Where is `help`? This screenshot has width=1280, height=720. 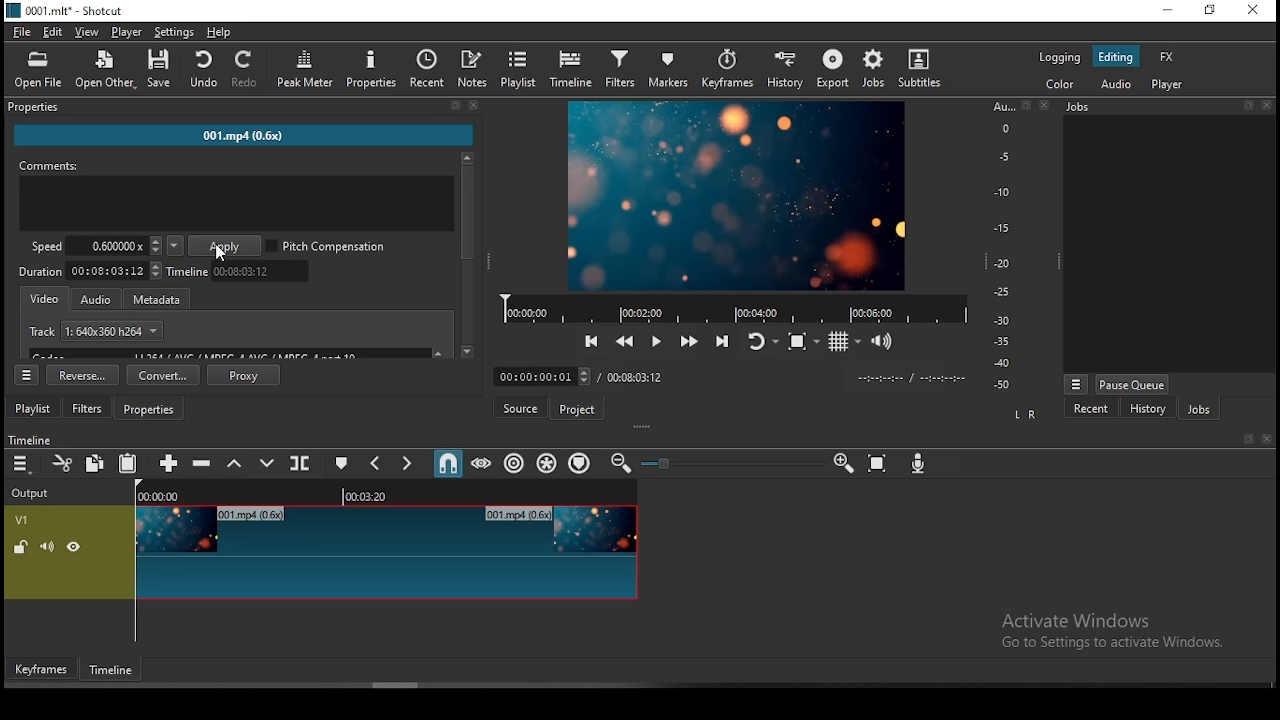 help is located at coordinates (220, 32).